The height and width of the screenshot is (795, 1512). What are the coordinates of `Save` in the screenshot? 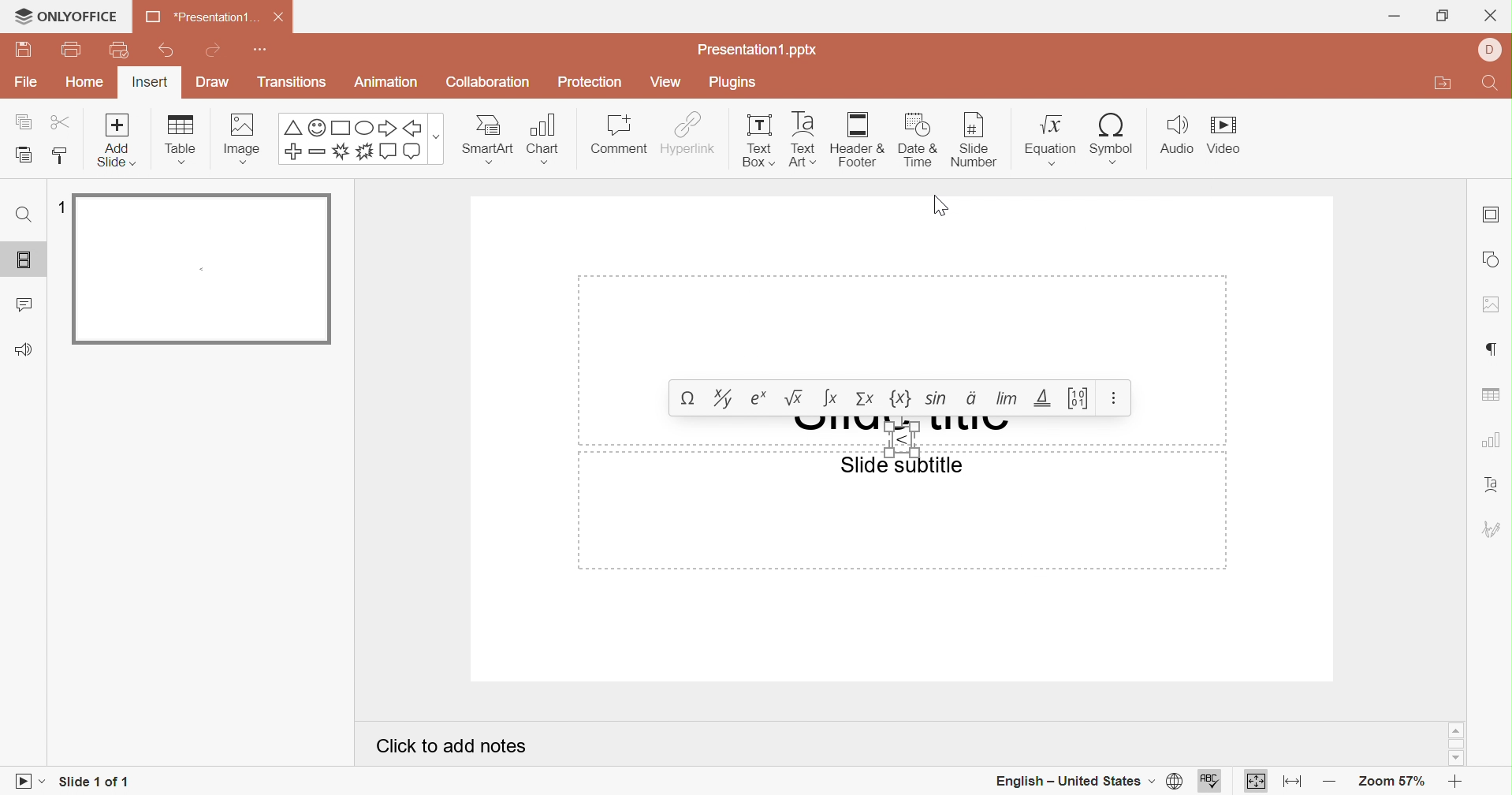 It's located at (34, 49).